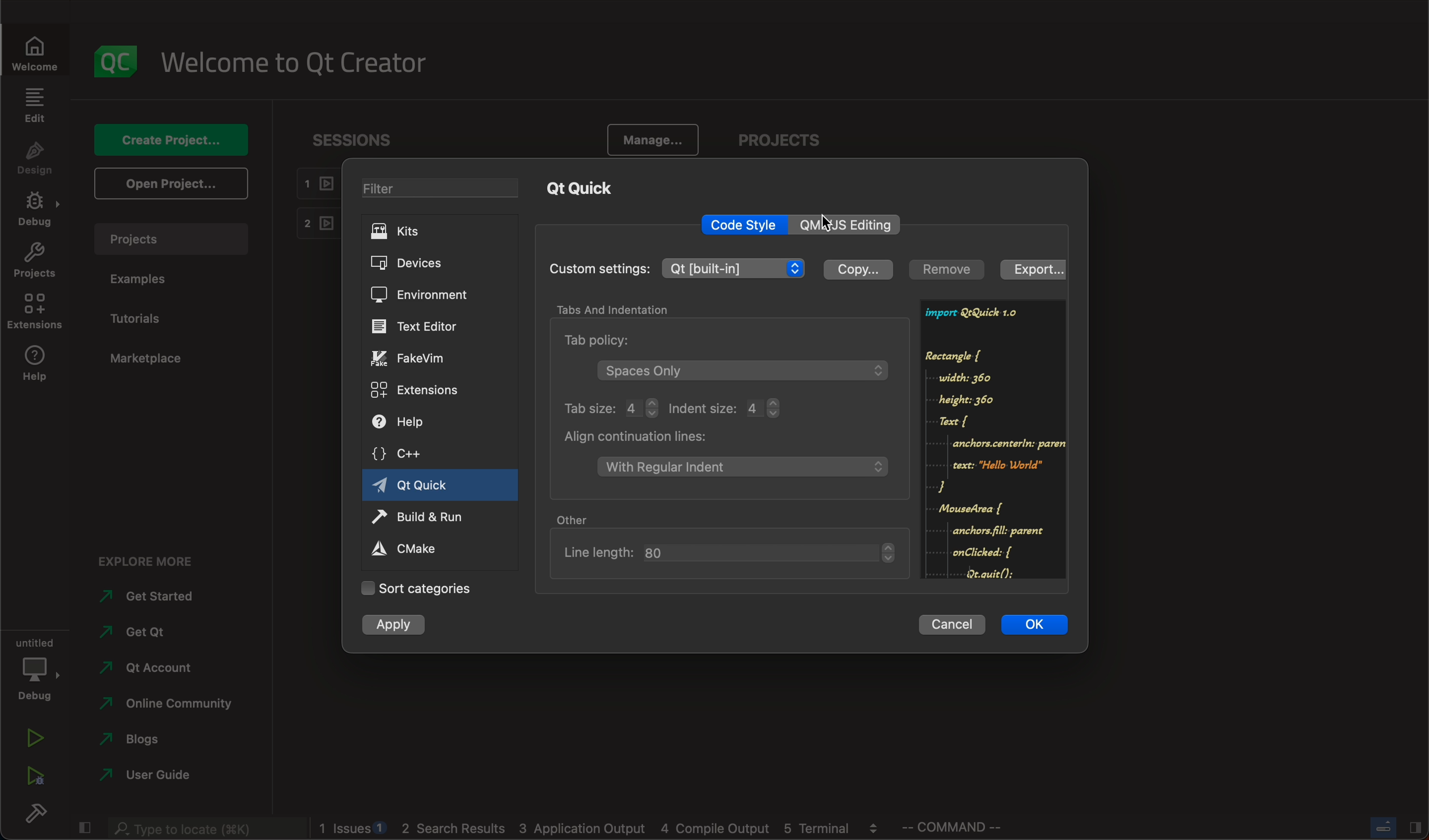 The height and width of the screenshot is (840, 1429). I want to click on logs, so click(603, 830).